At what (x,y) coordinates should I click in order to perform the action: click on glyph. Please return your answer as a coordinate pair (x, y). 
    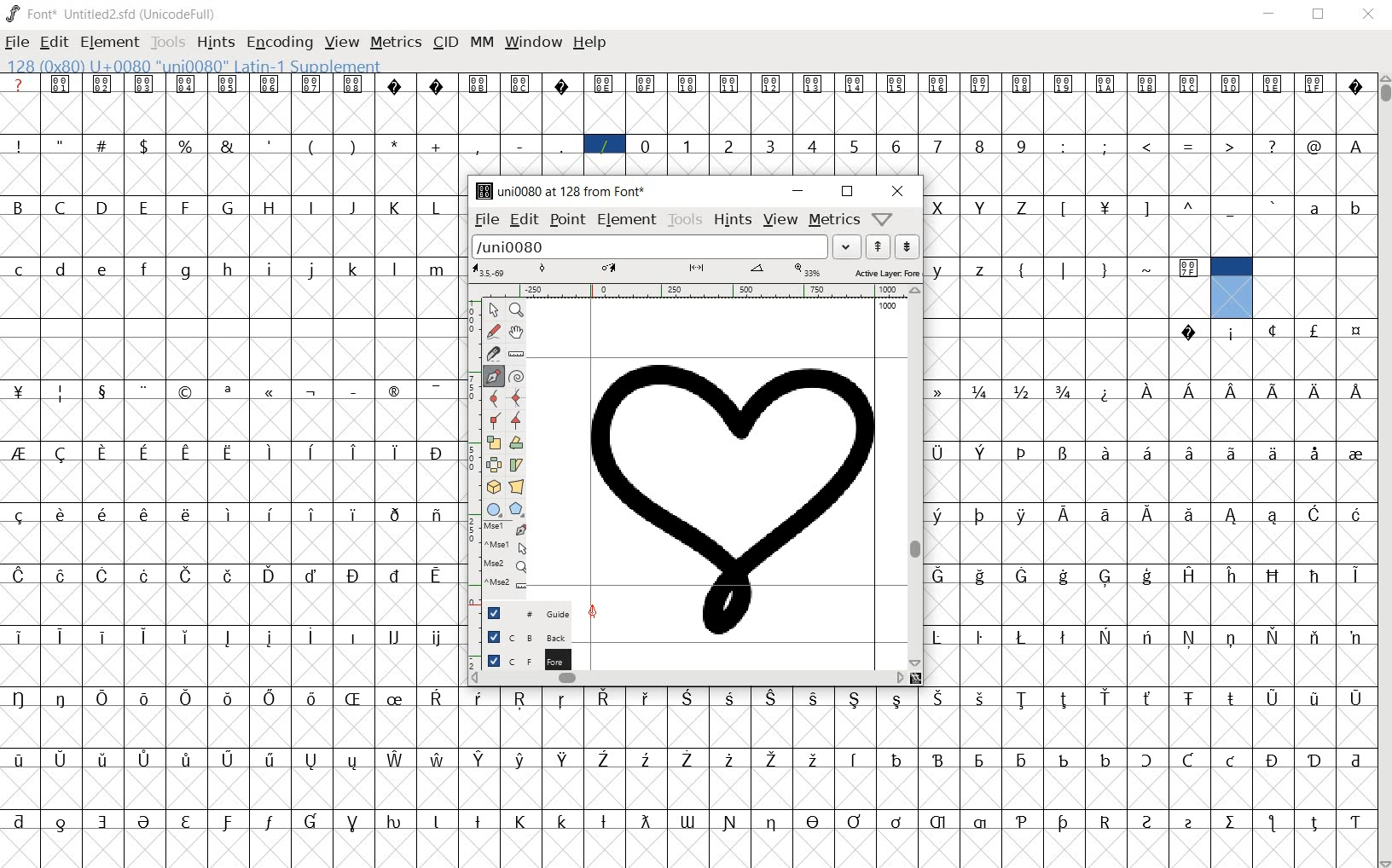
    Looking at the image, I should click on (229, 699).